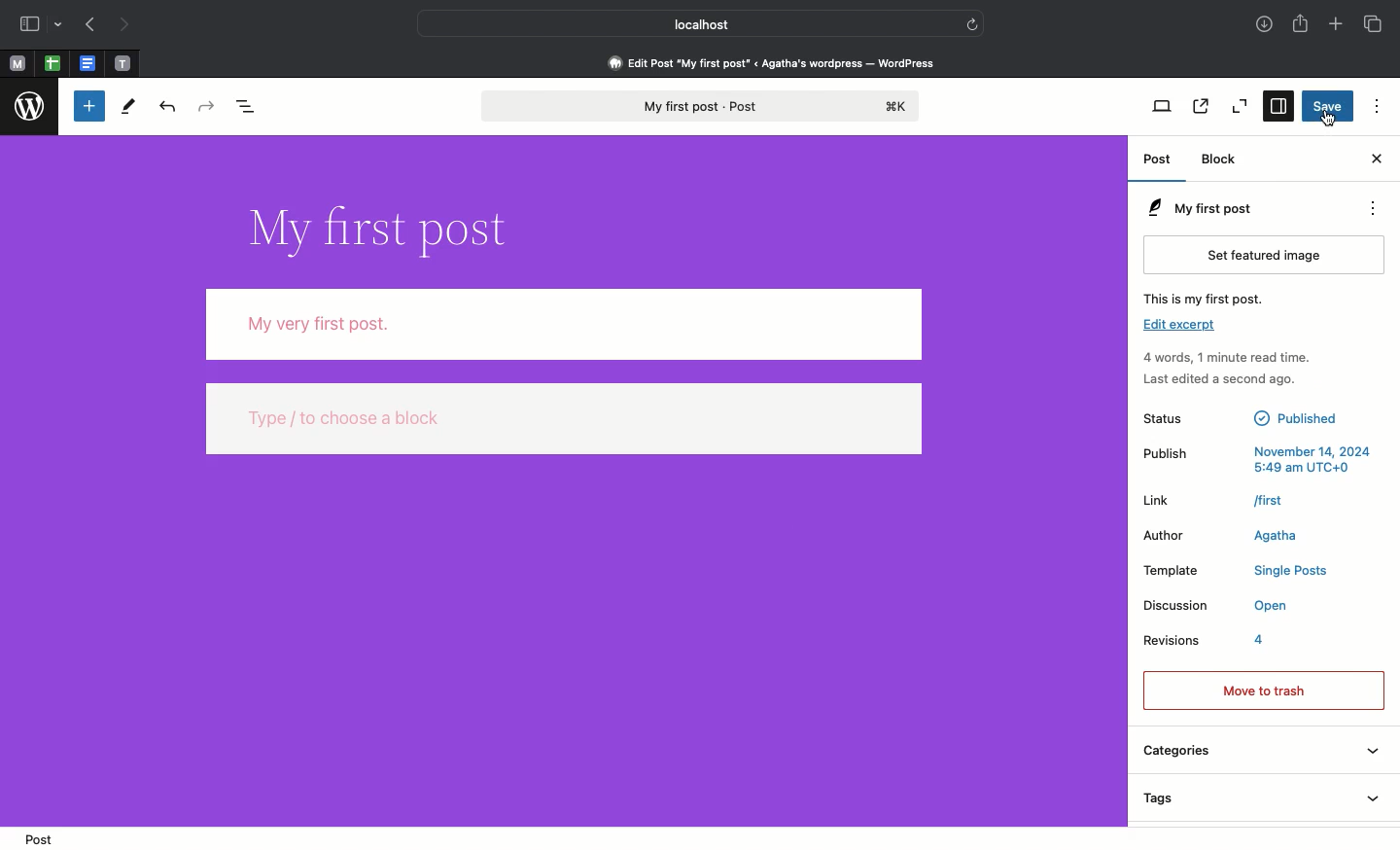 This screenshot has width=1400, height=850. I want to click on Post, so click(1160, 162).